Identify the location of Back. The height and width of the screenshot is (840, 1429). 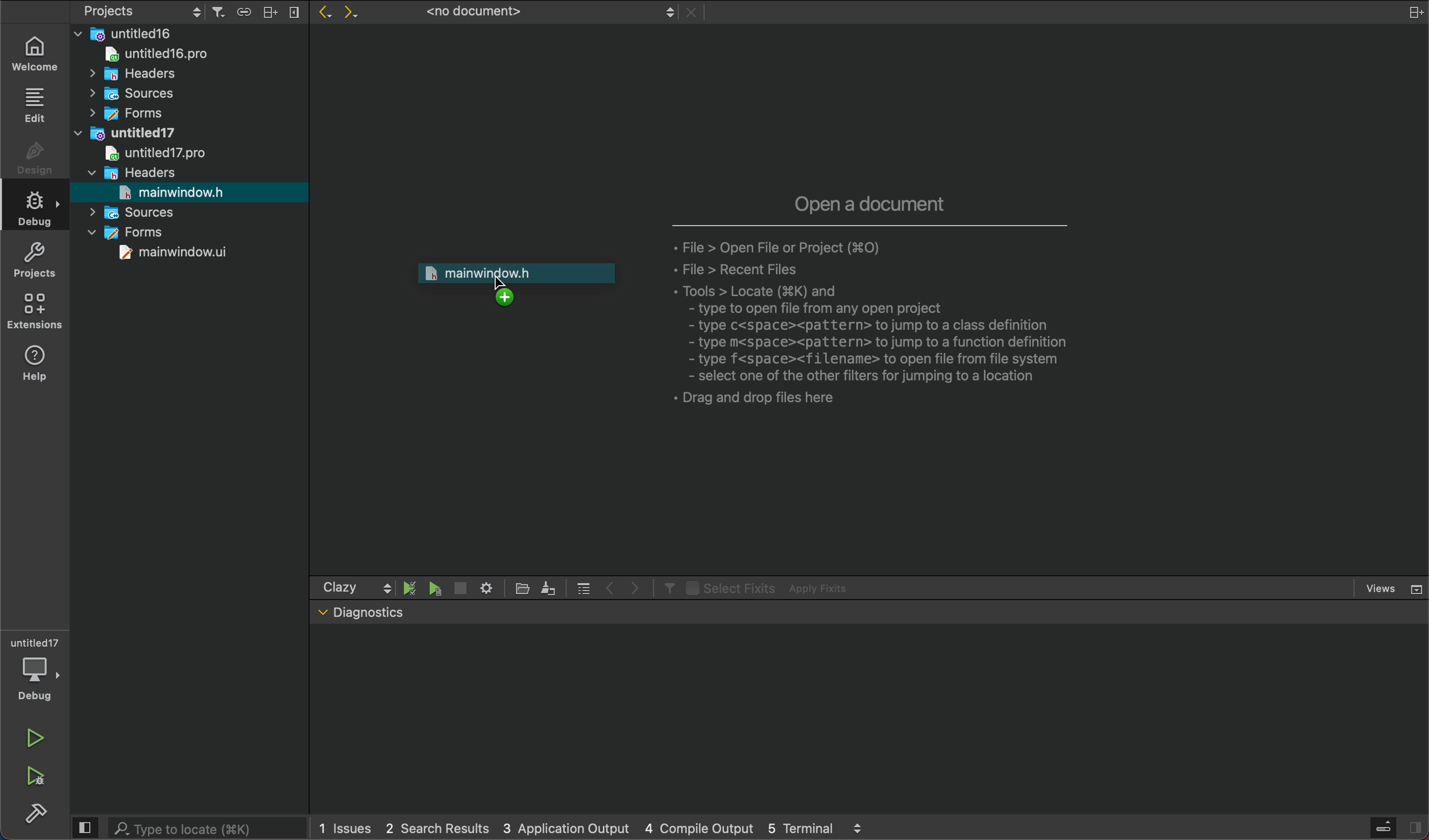
(322, 14).